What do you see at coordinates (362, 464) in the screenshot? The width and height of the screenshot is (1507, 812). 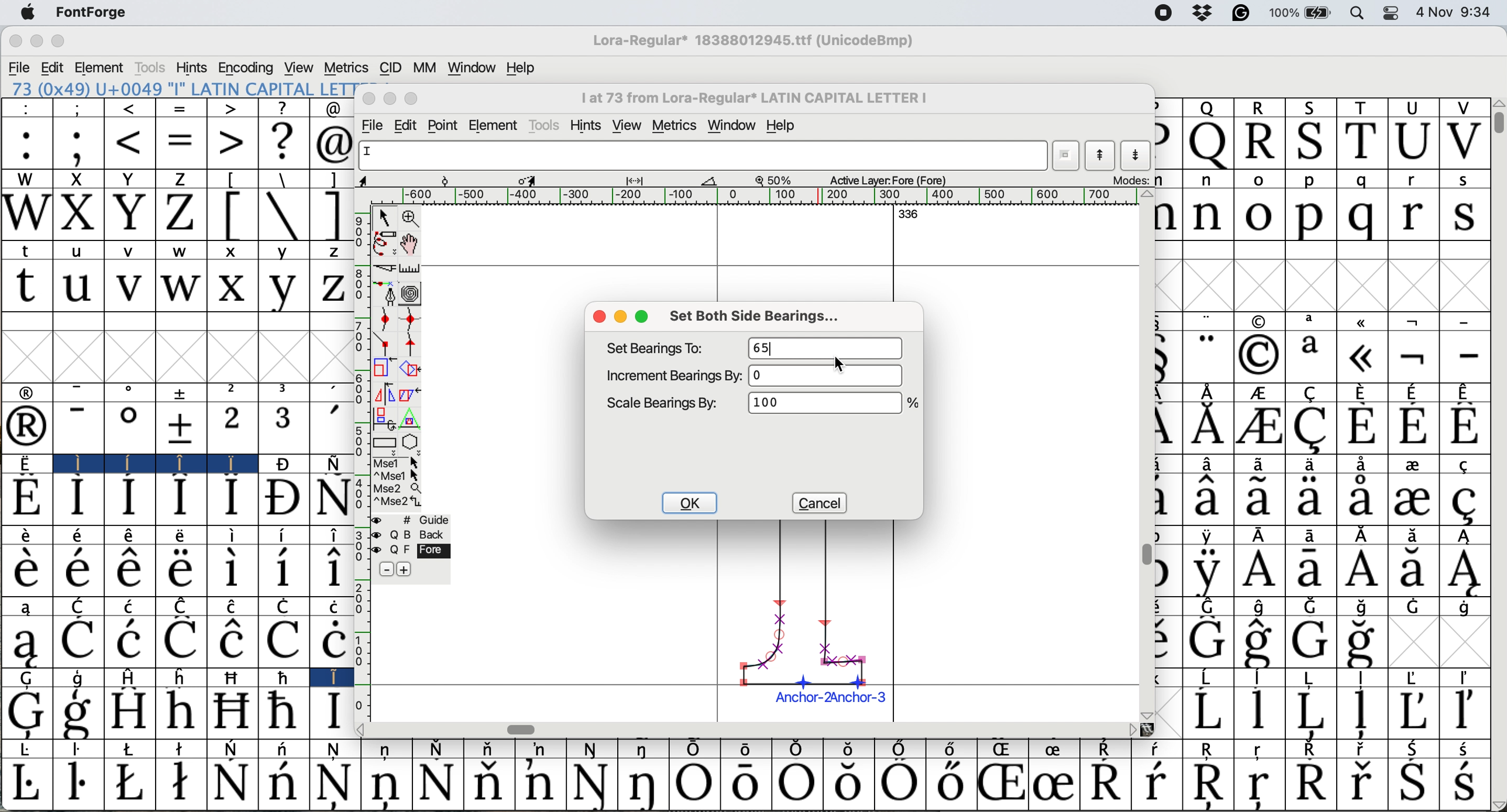 I see `vertical scale` at bounding box center [362, 464].